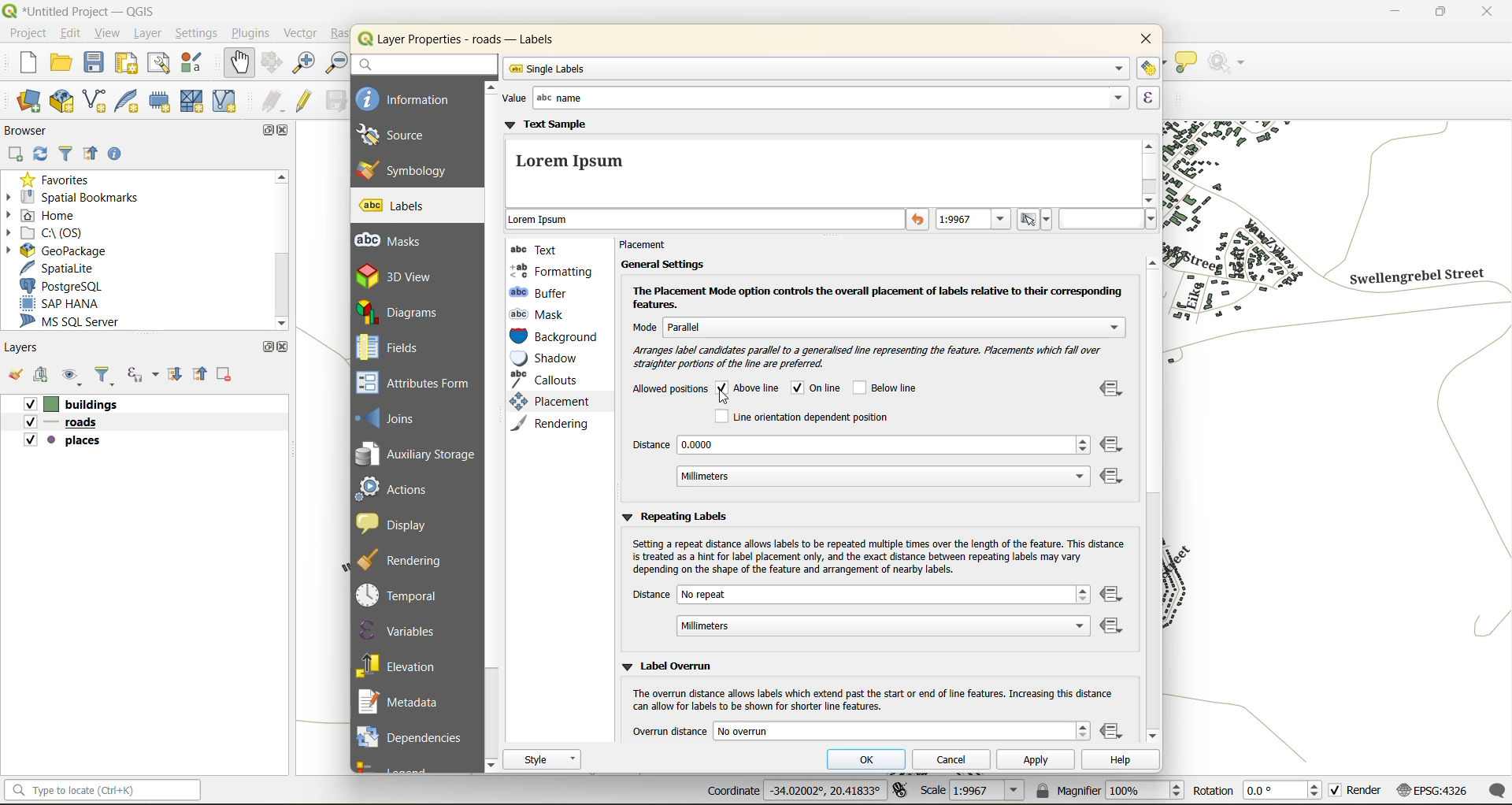 The height and width of the screenshot is (805, 1512). What do you see at coordinates (1254, 789) in the screenshot?
I see `rotation` at bounding box center [1254, 789].